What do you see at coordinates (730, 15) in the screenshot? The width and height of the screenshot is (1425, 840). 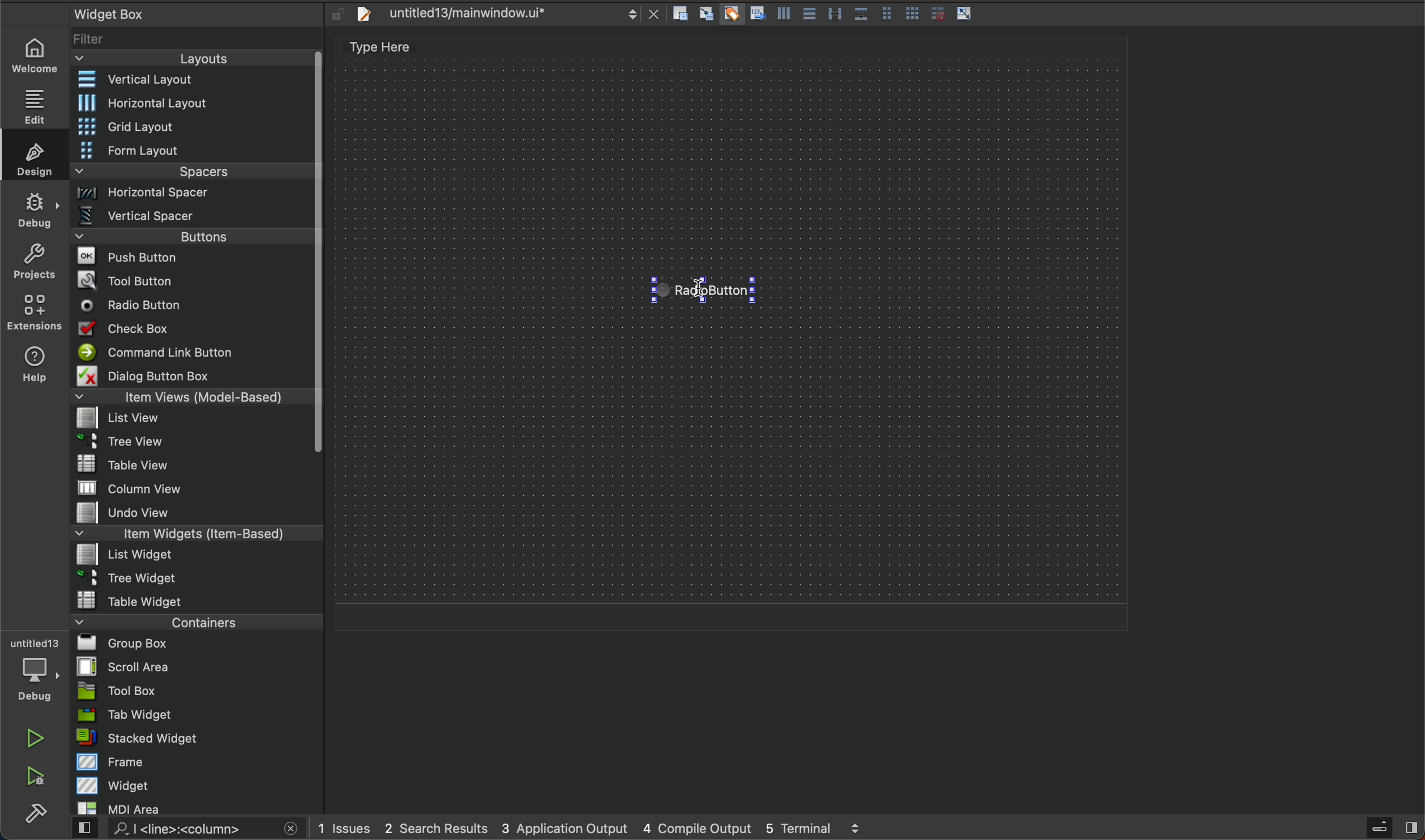 I see `` at bounding box center [730, 15].